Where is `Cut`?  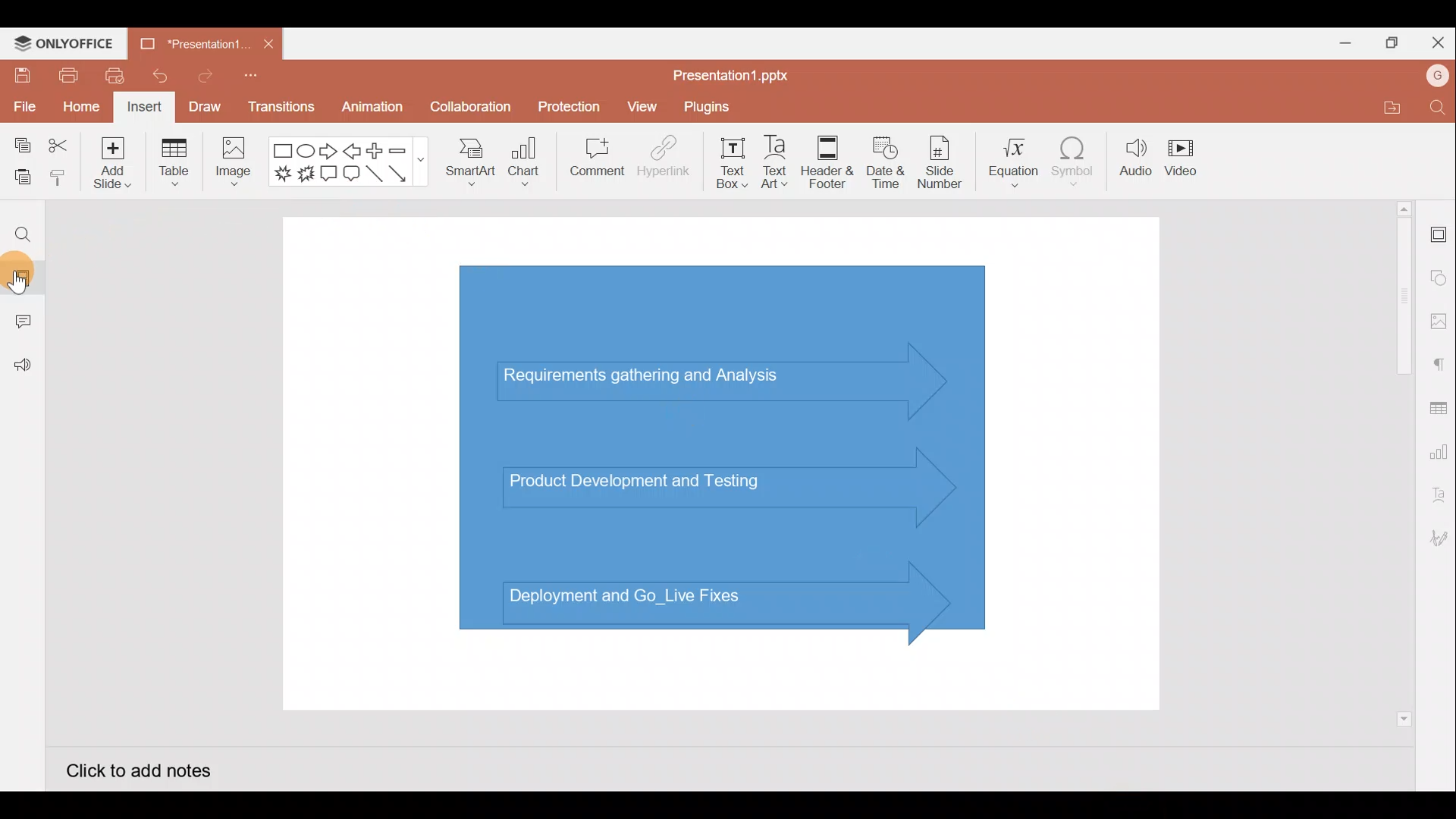
Cut is located at coordinates (58, 142).